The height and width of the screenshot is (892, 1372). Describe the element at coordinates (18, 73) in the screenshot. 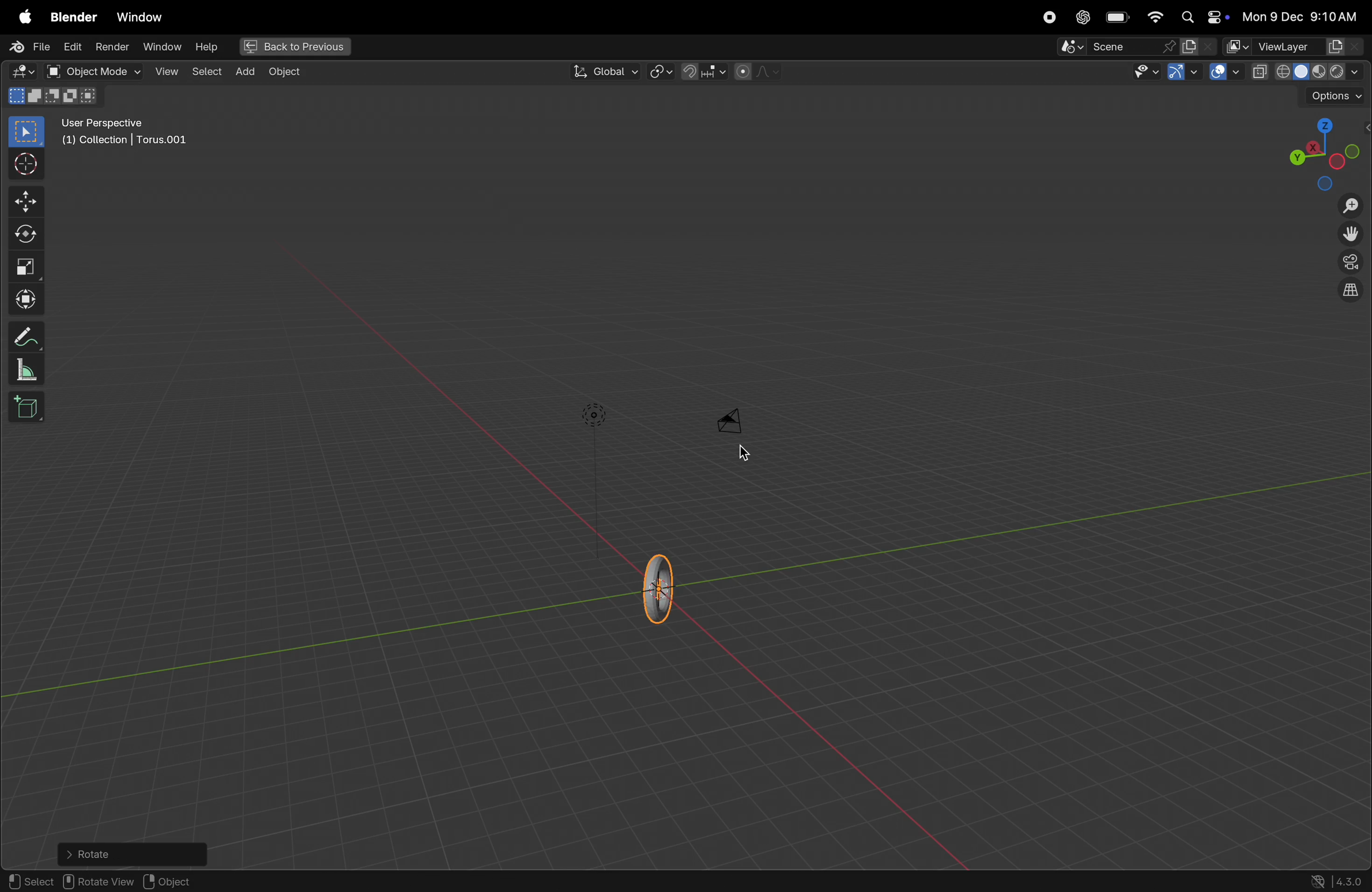

I see `editor type` at that location.